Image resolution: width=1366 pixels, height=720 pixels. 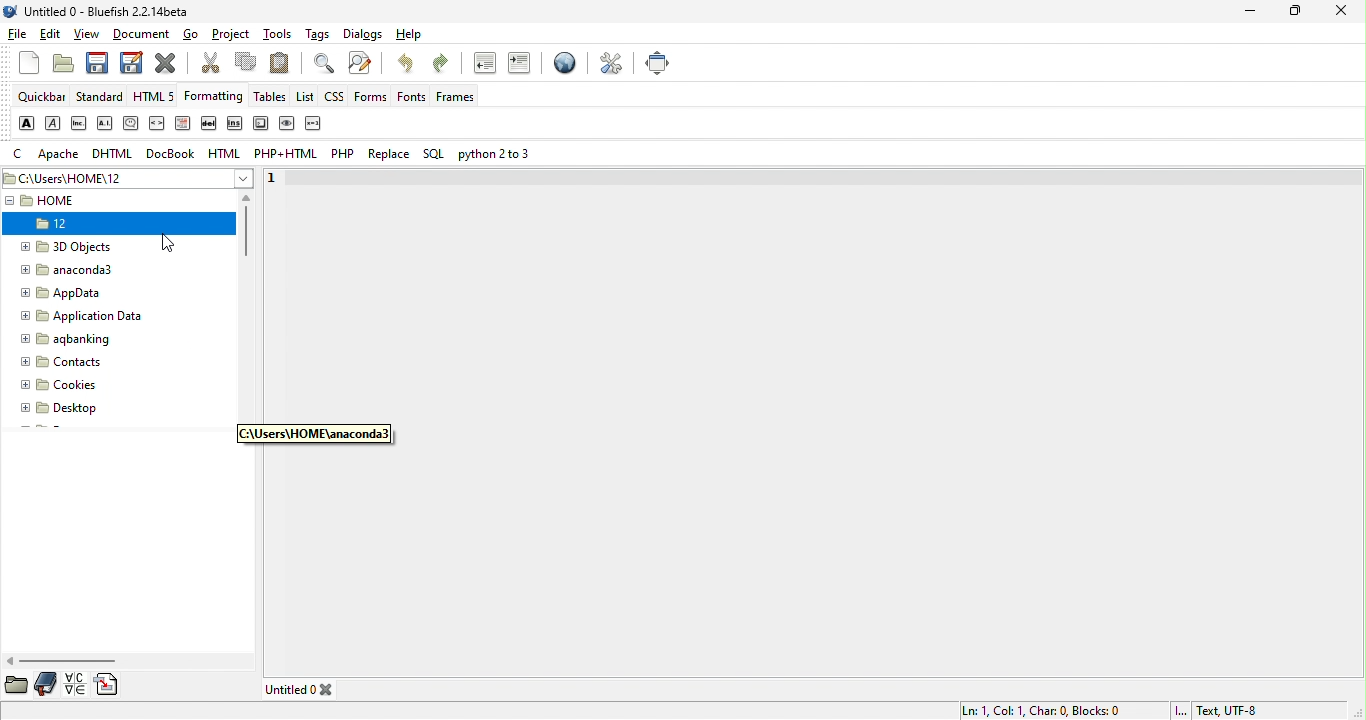 What do you see at coordinates (281, 35) in the screenshot?
I see `tools` at bounding box center [281, 35].